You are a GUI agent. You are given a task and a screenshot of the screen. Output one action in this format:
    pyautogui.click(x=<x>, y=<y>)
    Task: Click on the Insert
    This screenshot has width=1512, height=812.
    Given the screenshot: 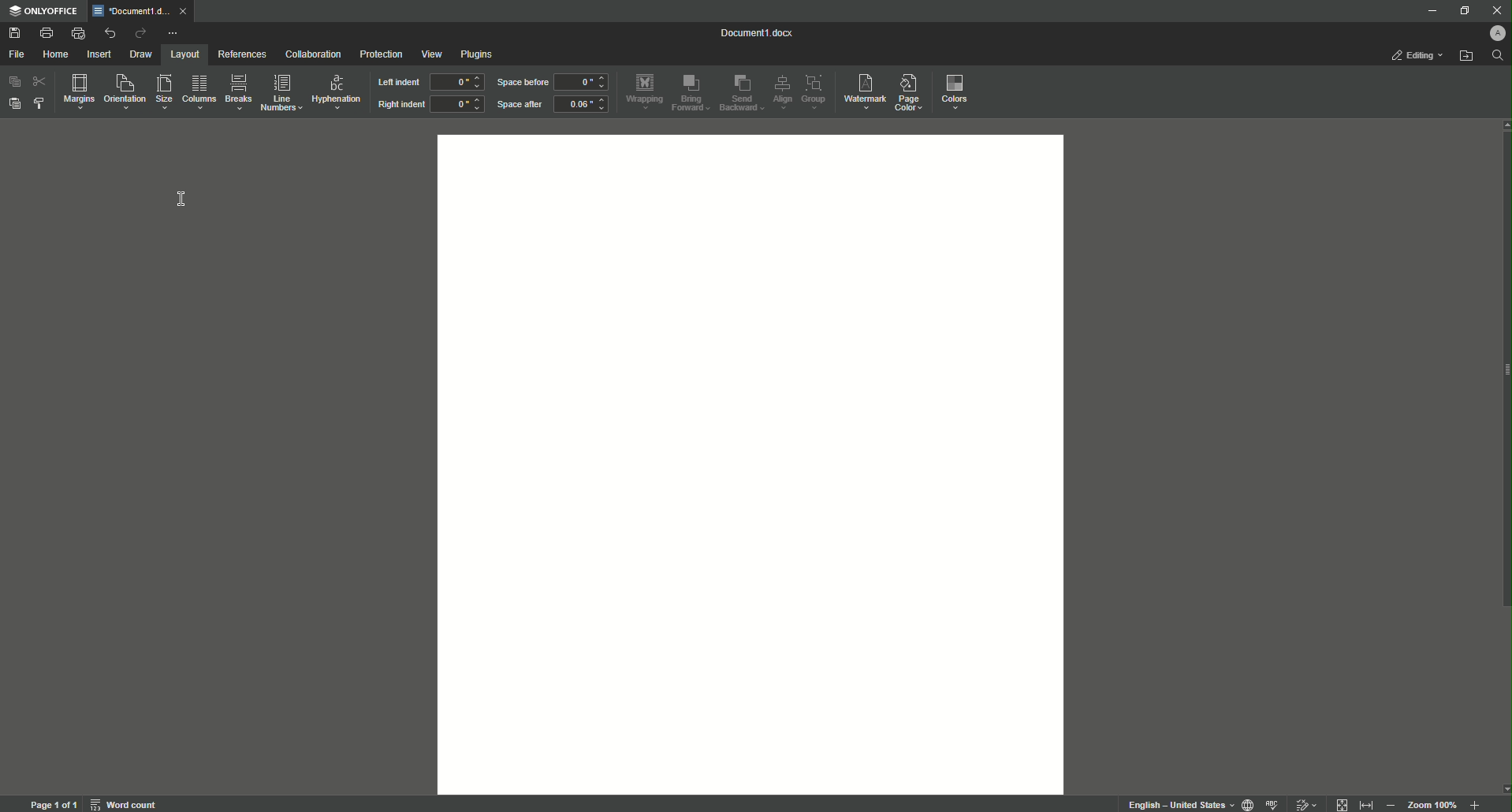 What is the action you would take?
    pyautogui.click(x=99, y=54)
    